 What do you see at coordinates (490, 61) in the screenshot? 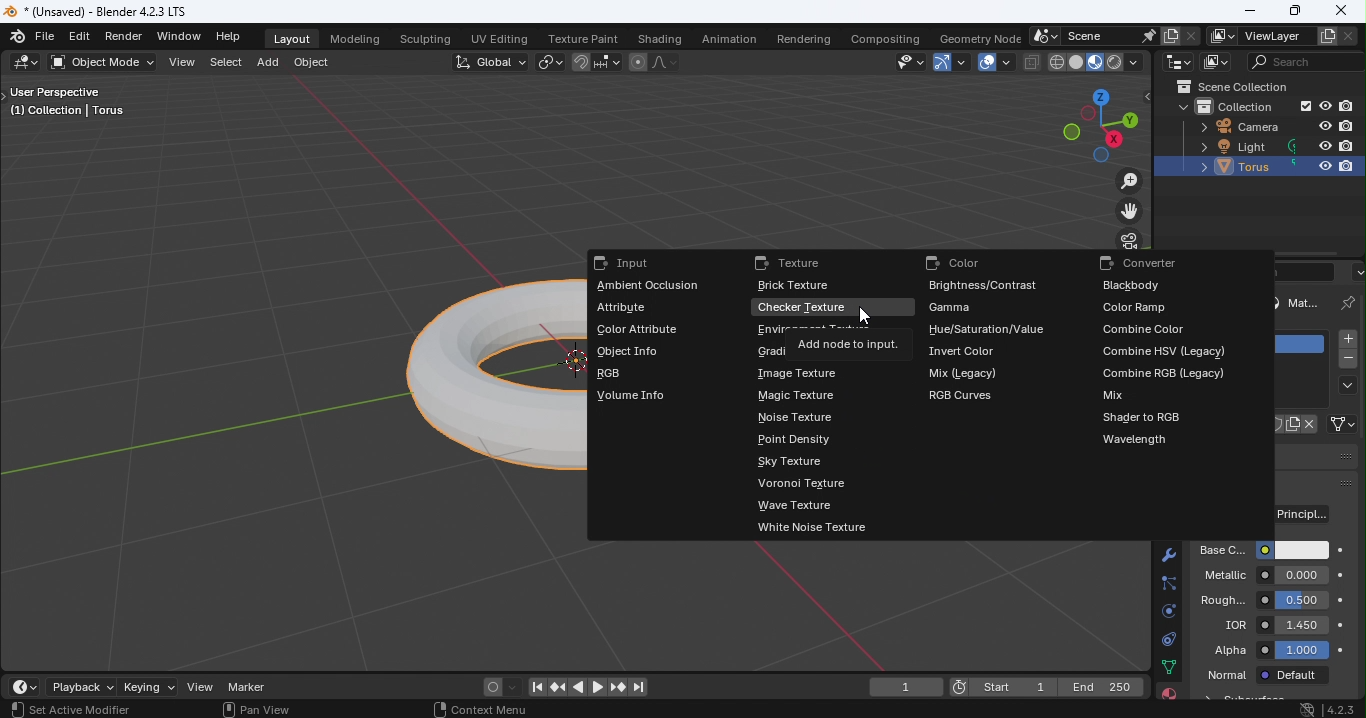
I see `Transformation Orientation` at bounding box center [490, 61].